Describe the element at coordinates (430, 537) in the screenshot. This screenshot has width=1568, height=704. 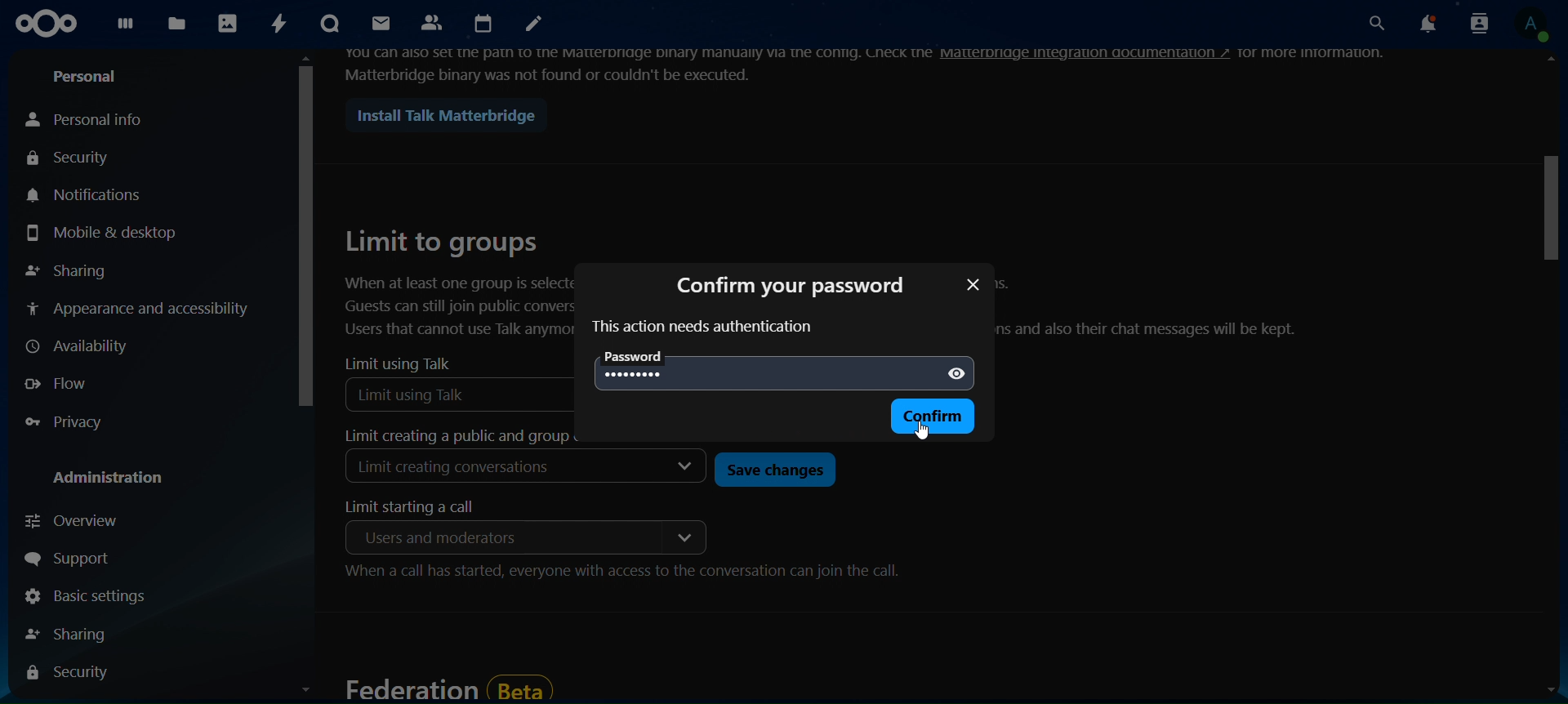
I see `moderators only` at that location.